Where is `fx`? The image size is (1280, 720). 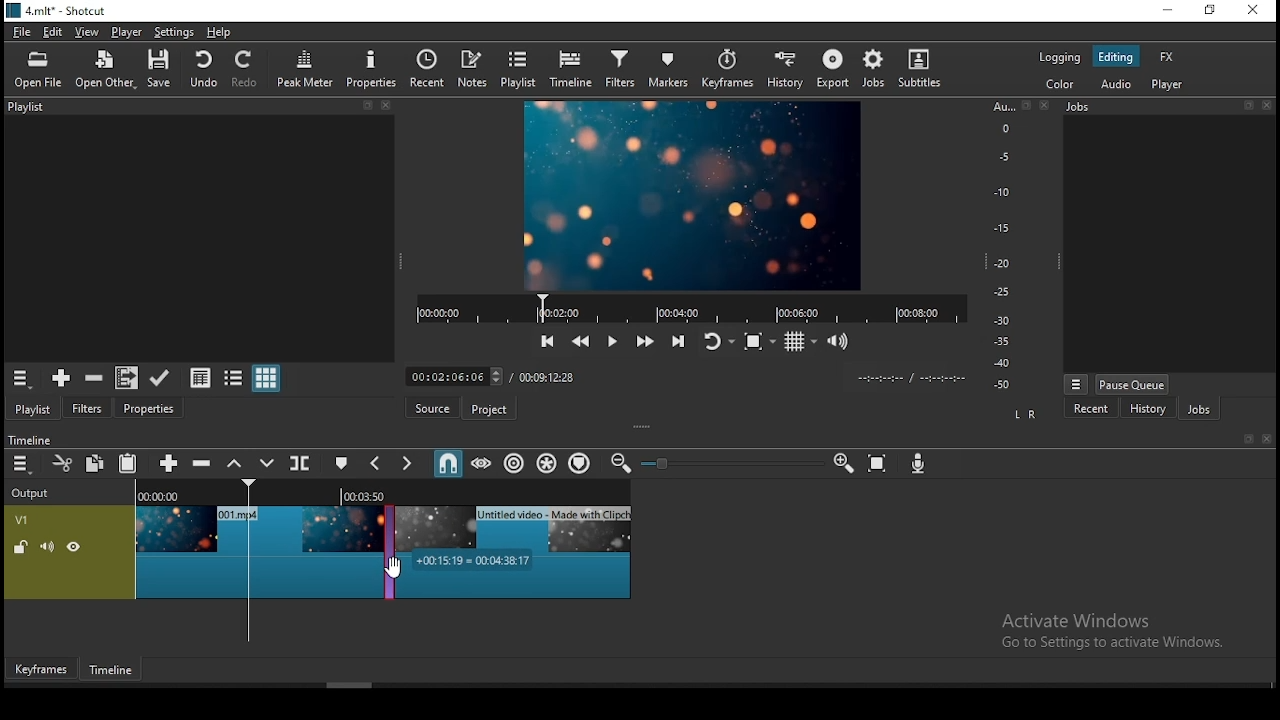
fx is located at coordinates (1167, 57).